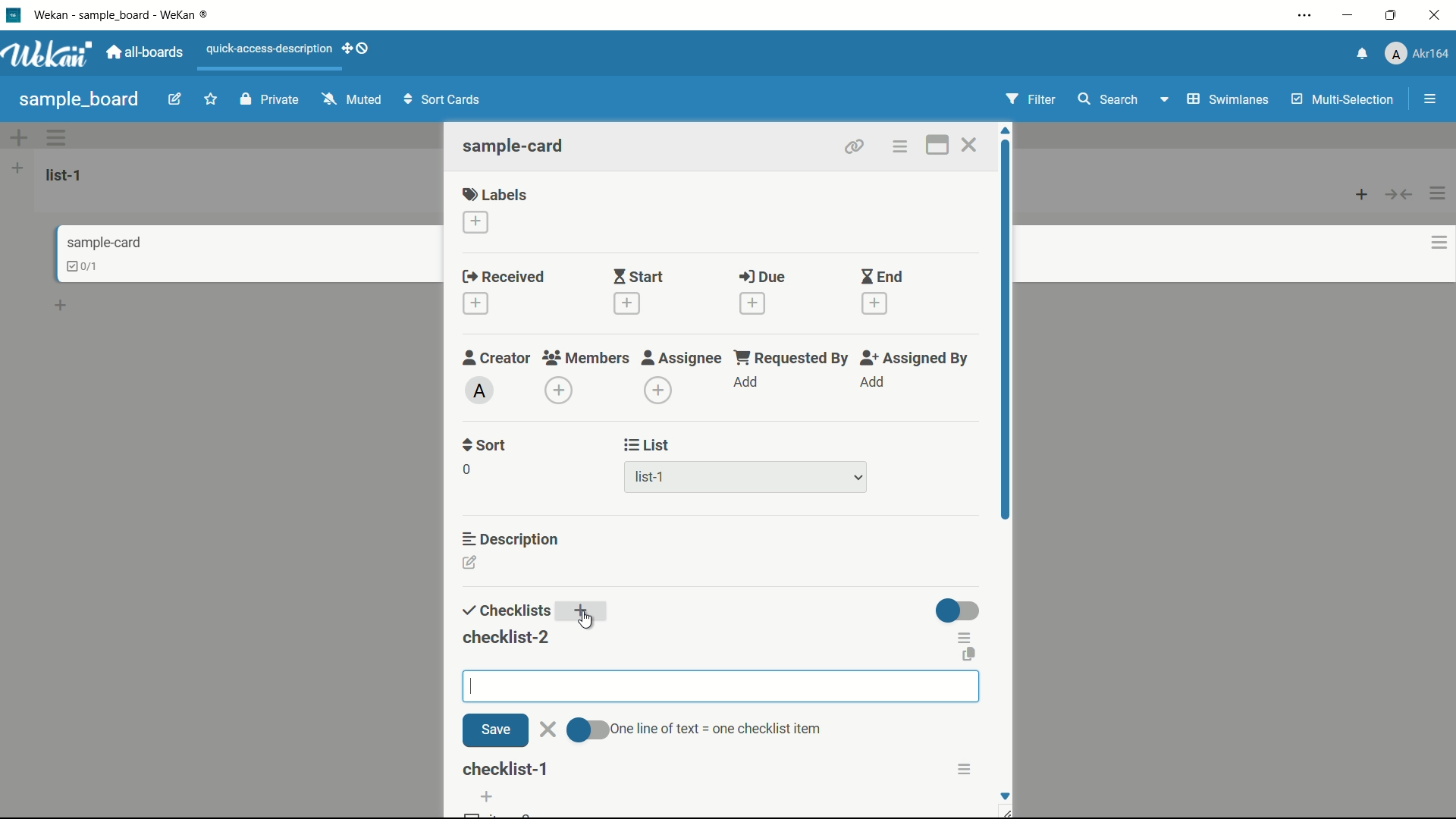 The height and width of the screenshot is (819, 1456). What do you see at coordinates (968, 147) in the screenshot?
I see `close card` at bounding box center [968, 147].